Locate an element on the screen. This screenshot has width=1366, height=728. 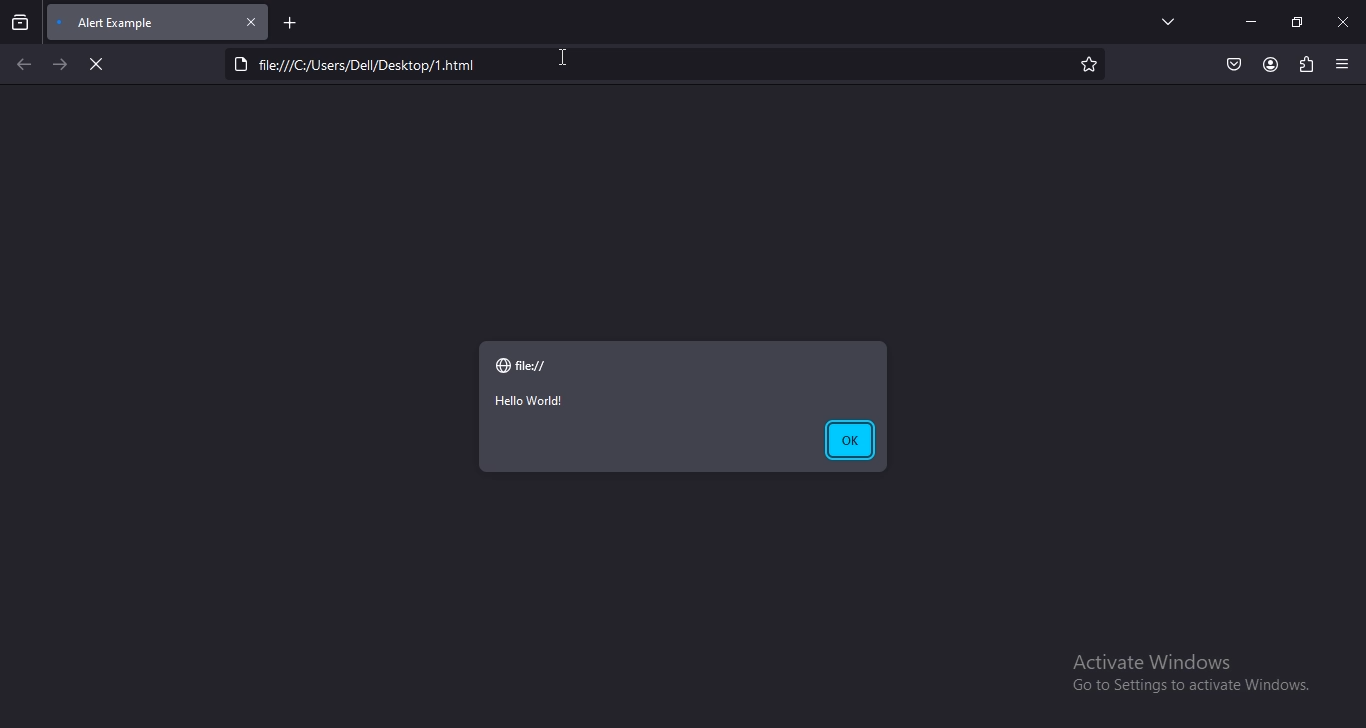
Hello World! is located at coordinates (530, 400).